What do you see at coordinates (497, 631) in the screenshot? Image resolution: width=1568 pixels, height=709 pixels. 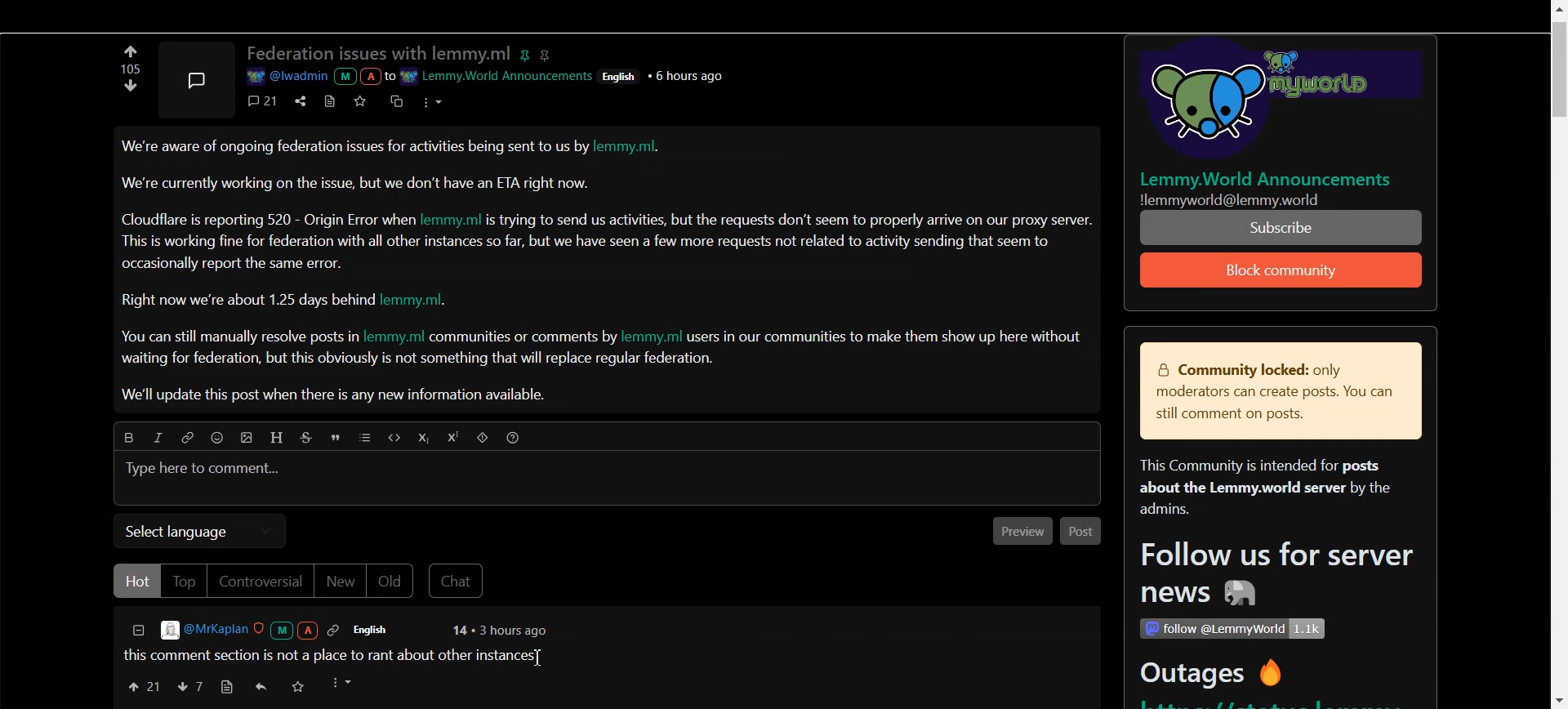 I see `14 + 3 hours ago` at bounding box center [497, 631].